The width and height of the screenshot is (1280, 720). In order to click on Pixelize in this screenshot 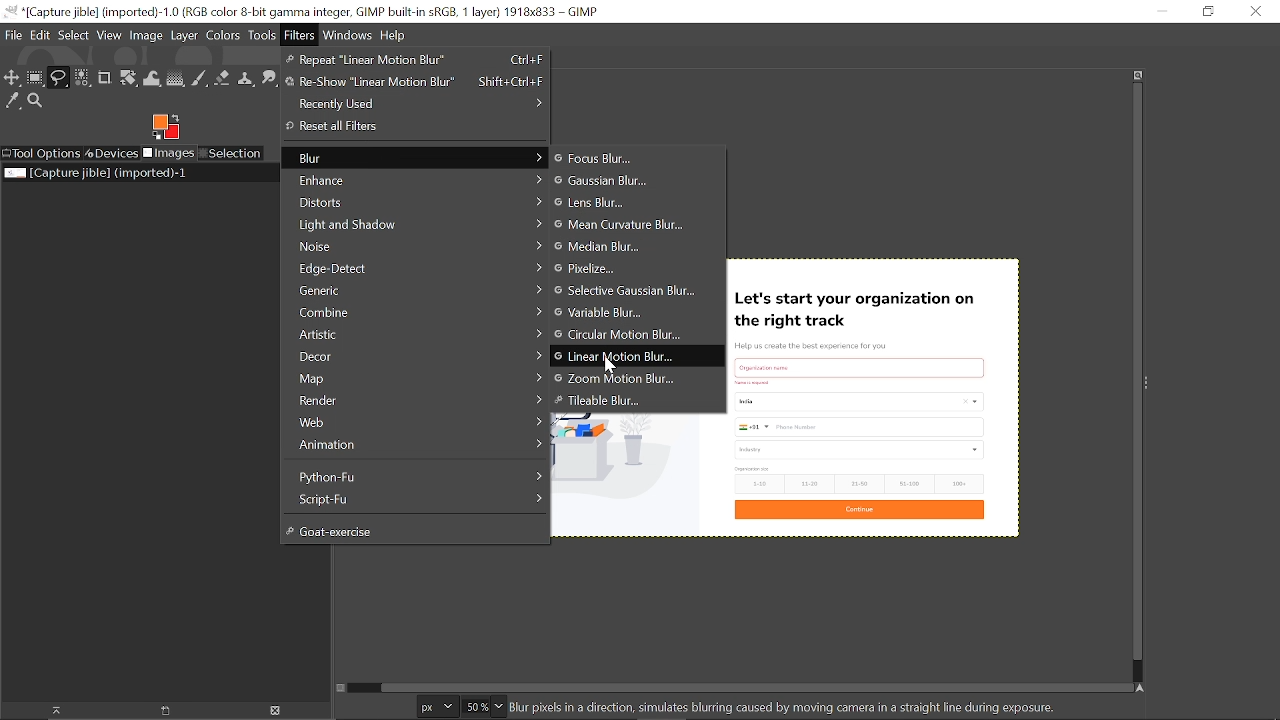, I will do `click(600, 268)`.